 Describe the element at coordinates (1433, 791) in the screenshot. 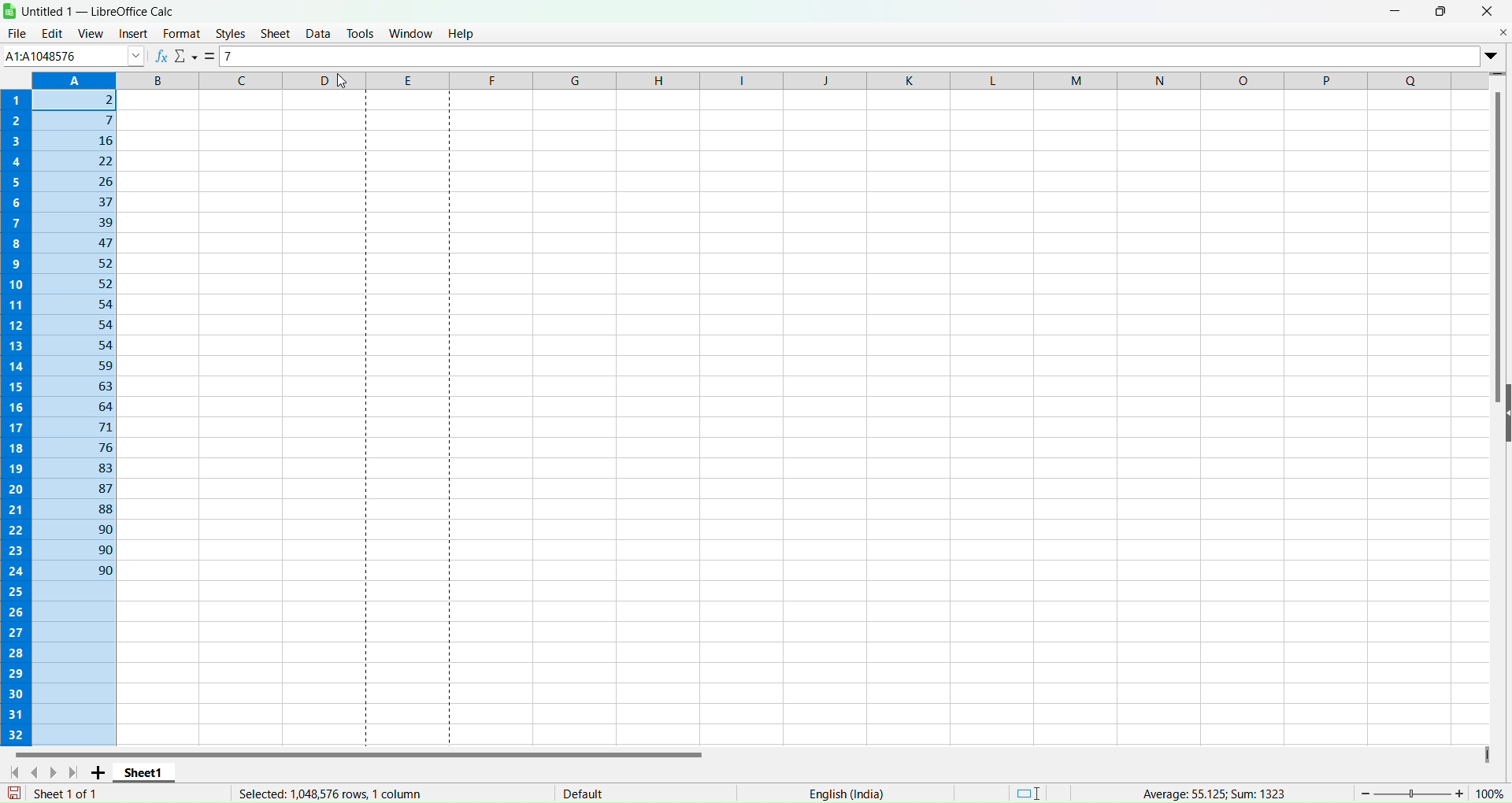

I see `Zoom Factor` at that location.